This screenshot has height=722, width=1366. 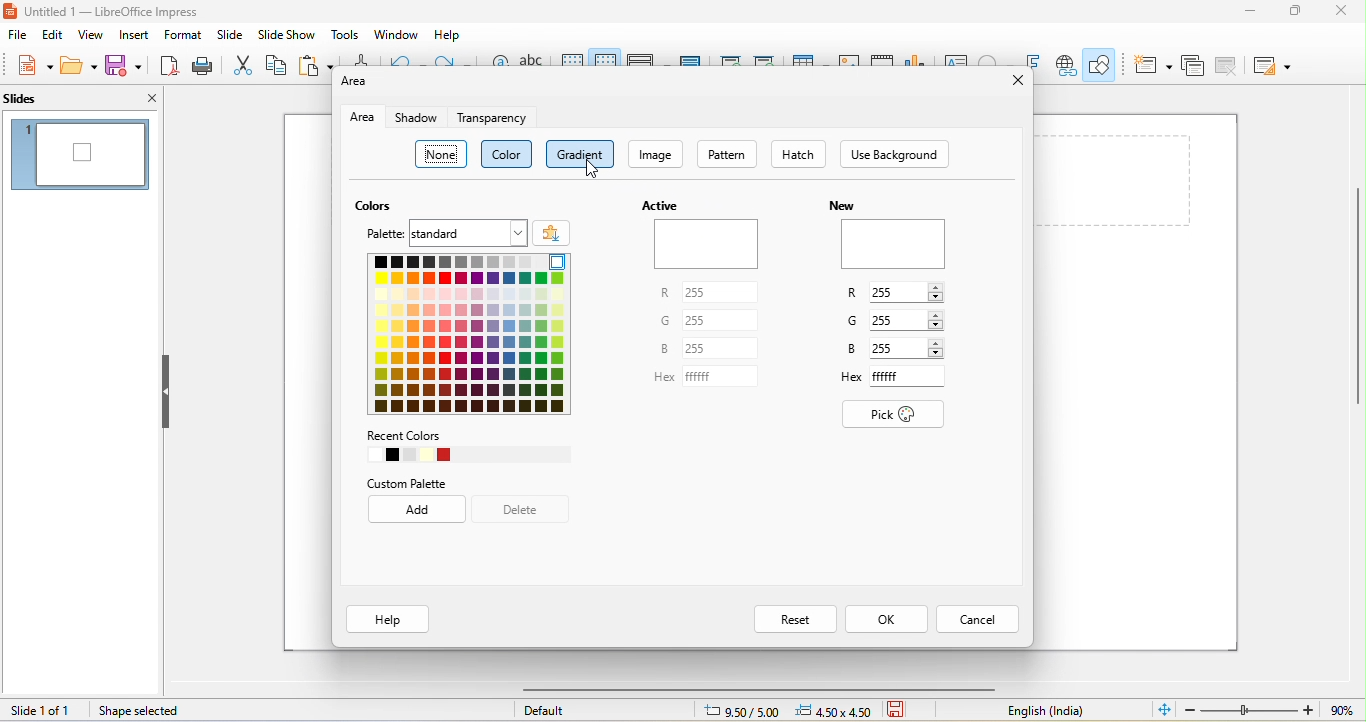 What do you see at coordinates (1245, 12) in the screenshot?
I see `minimize` at bounding box center [1245, 12].